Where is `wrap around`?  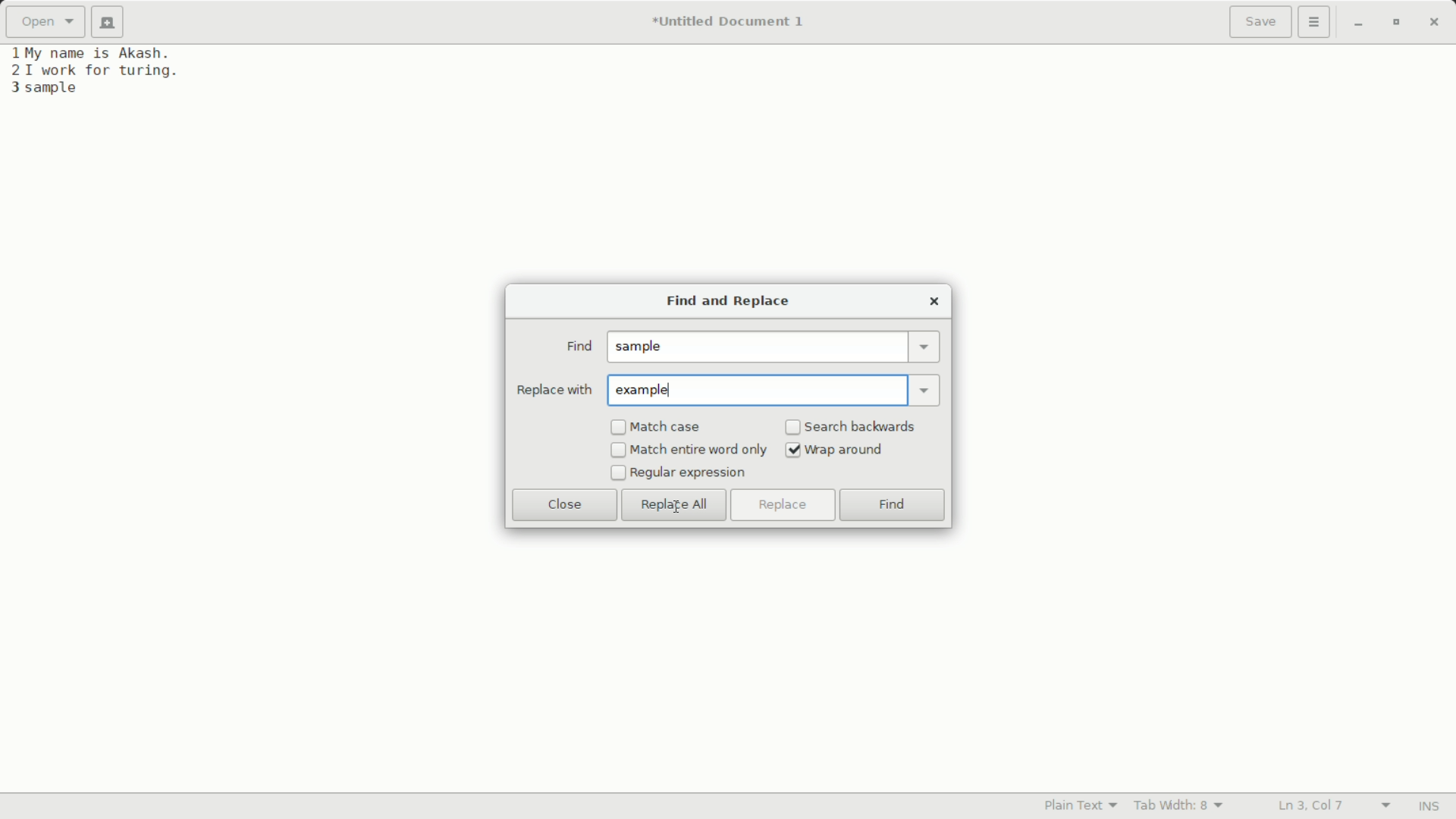 wrap around is located at coordinates (847, 450).